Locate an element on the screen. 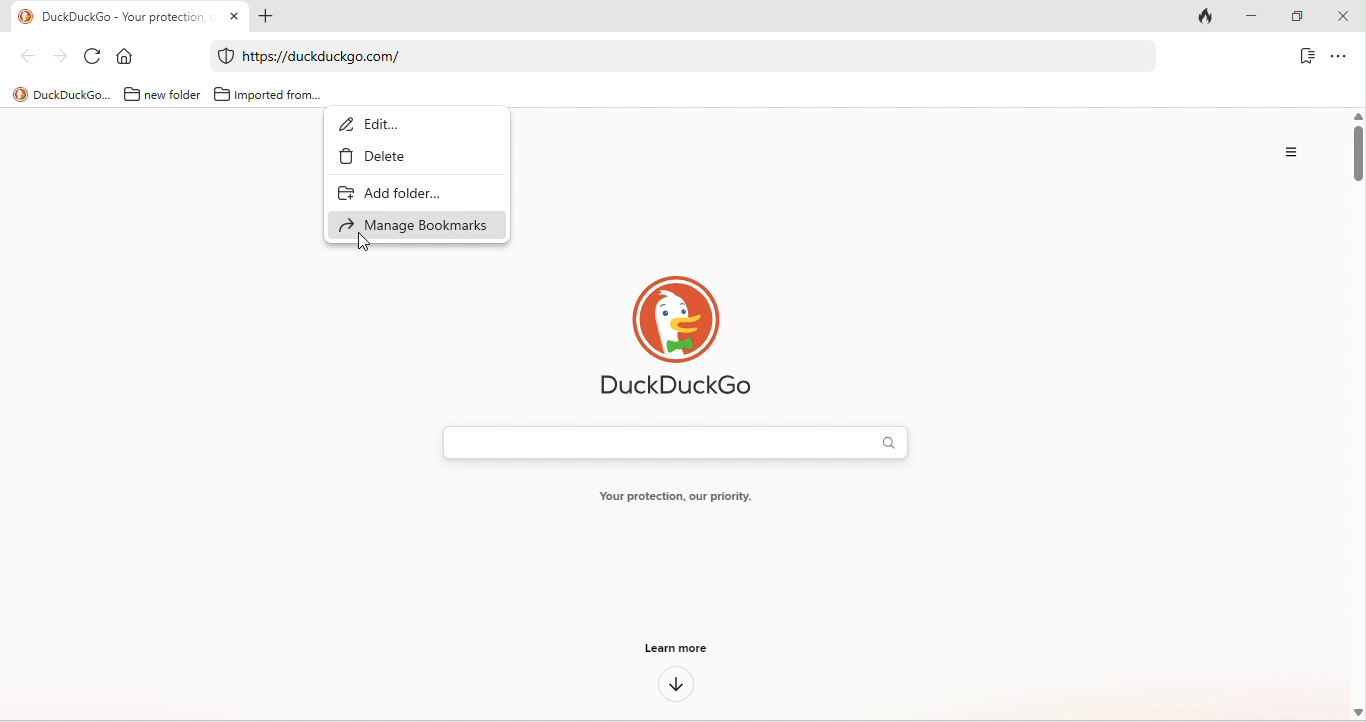 The height and width of the screenshot is (722, 1366). maximize is located at coordinates (1301, 17).